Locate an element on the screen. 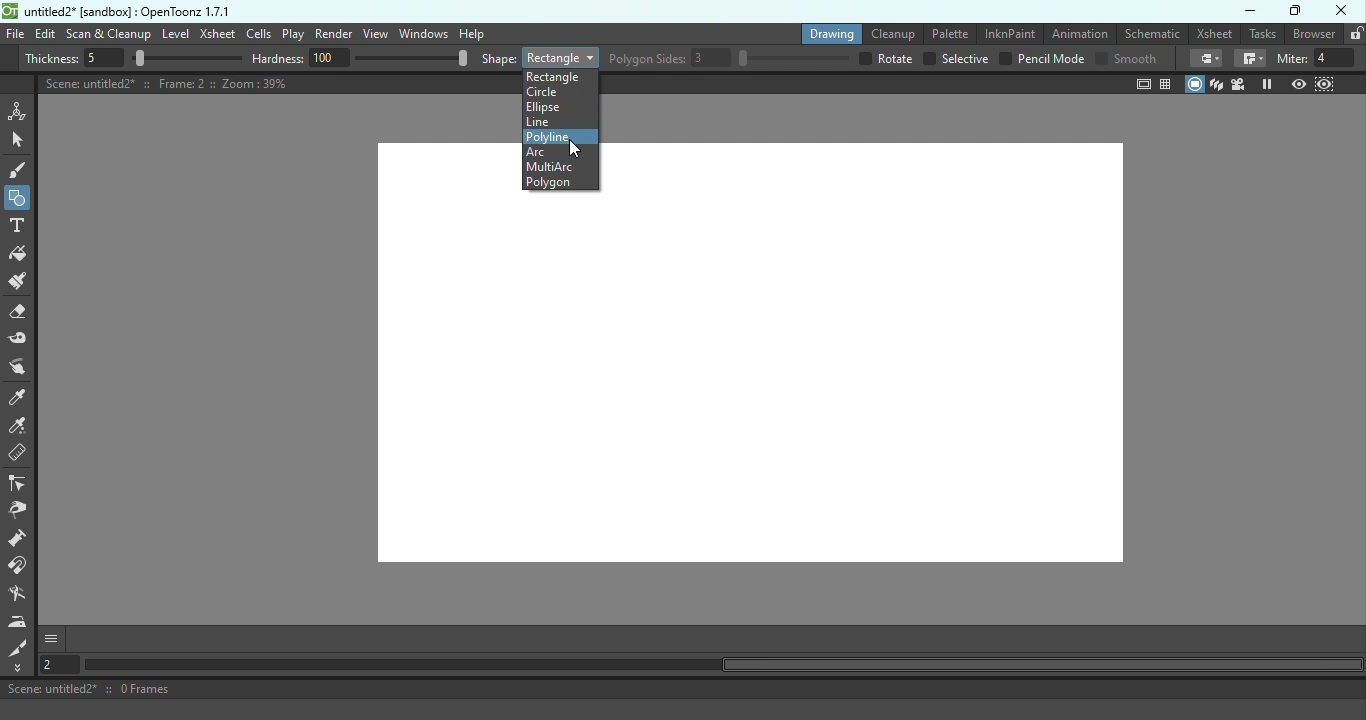 The image size is (1366, 720). Pinch tool is located at coordinates (23, 511).